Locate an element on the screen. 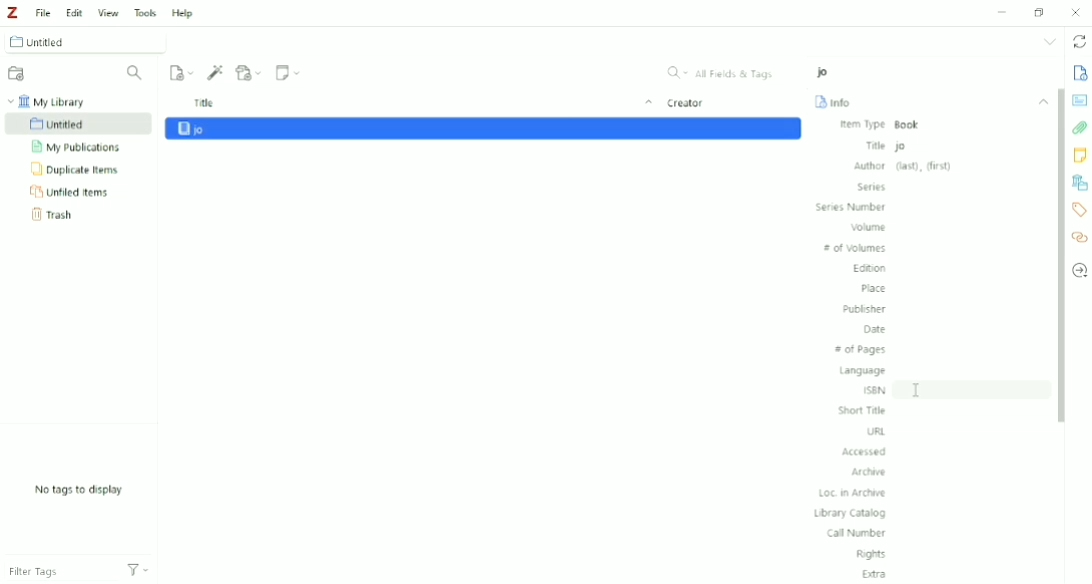  # of Volumes is located at coordinates (856, 248).